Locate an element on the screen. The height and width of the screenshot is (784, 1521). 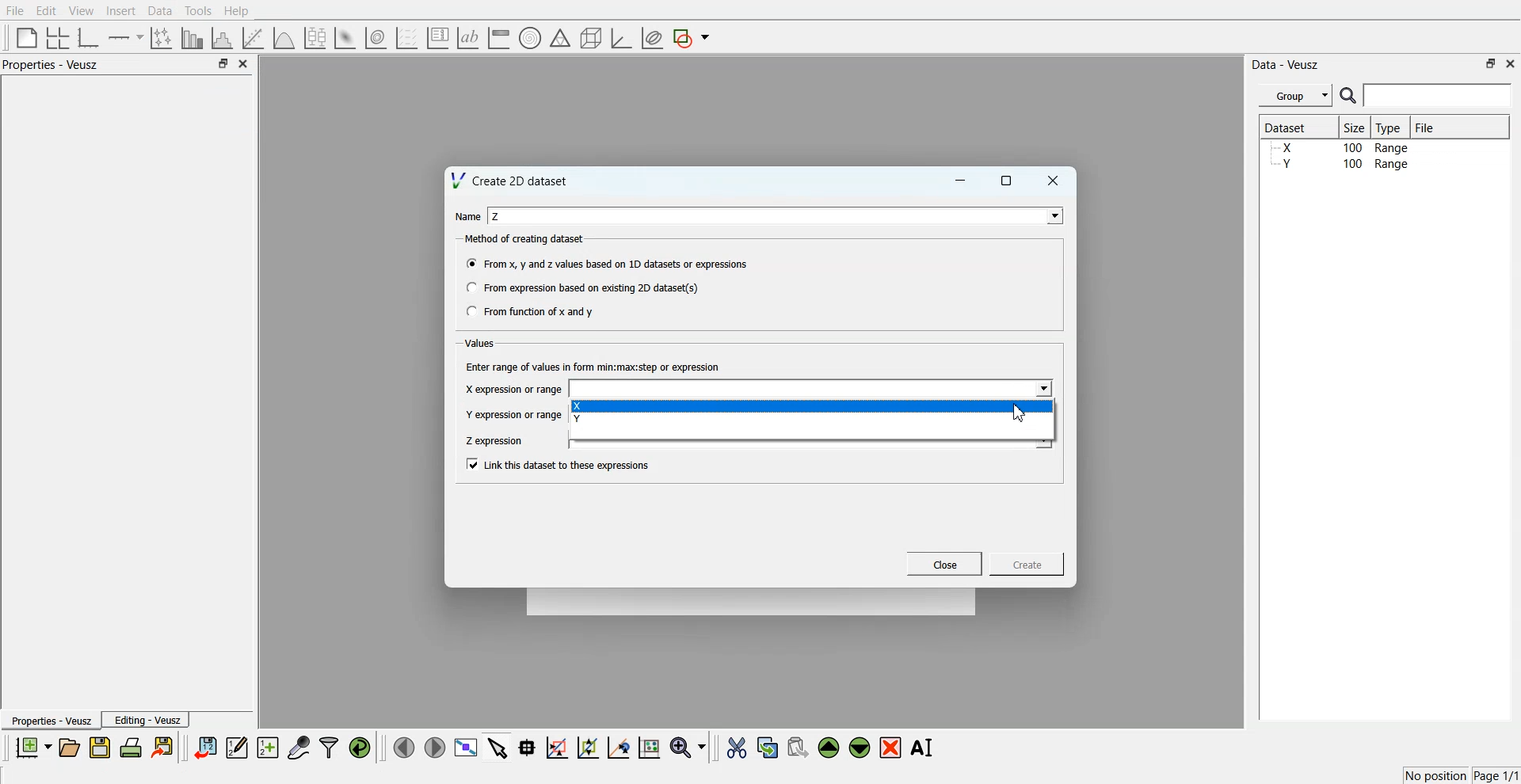
Histogram of dataset is located at coordinates (220, 39).